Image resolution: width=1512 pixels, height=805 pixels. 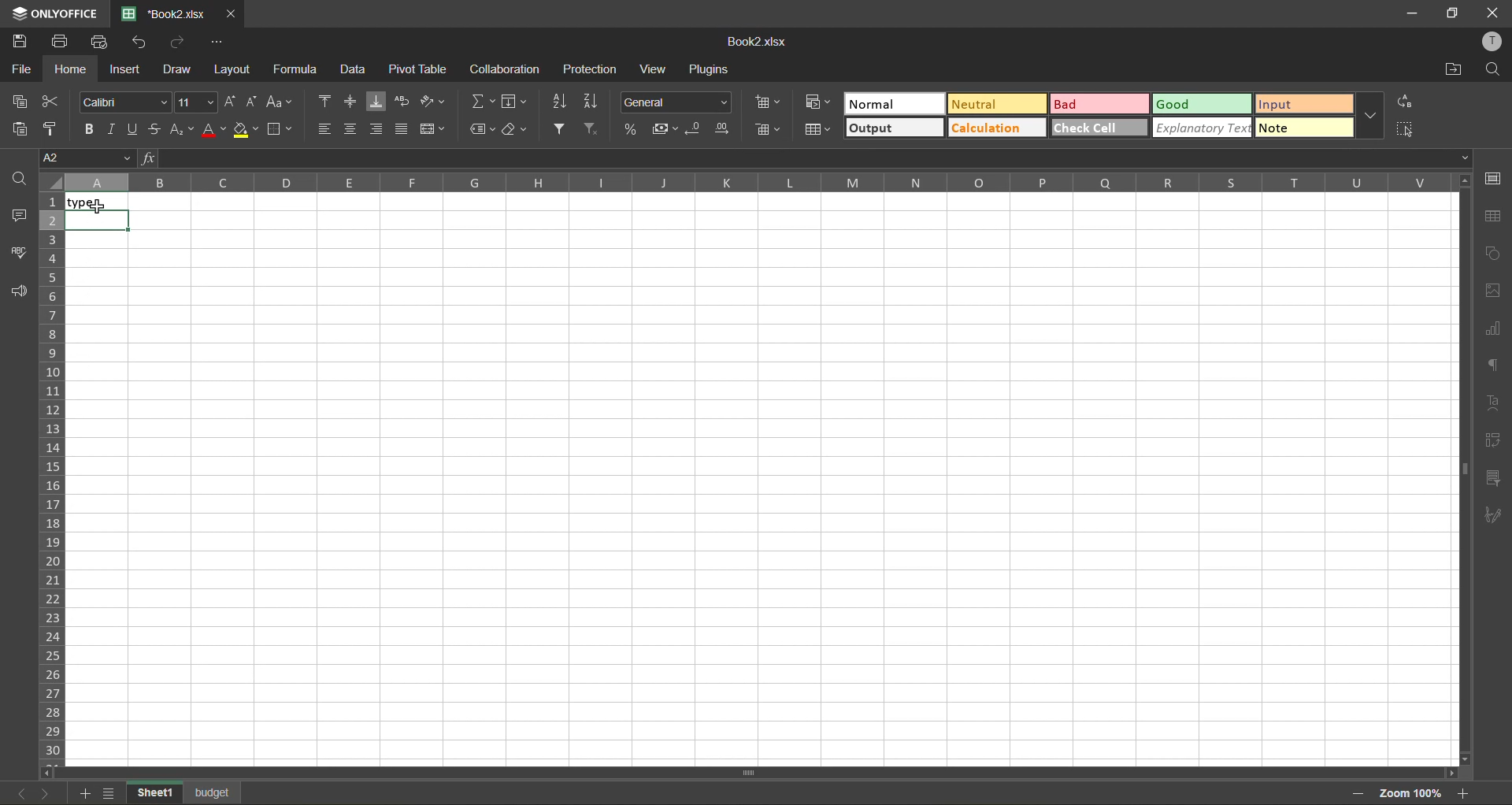 I want to click on profile, so click(x=1490, y=43).